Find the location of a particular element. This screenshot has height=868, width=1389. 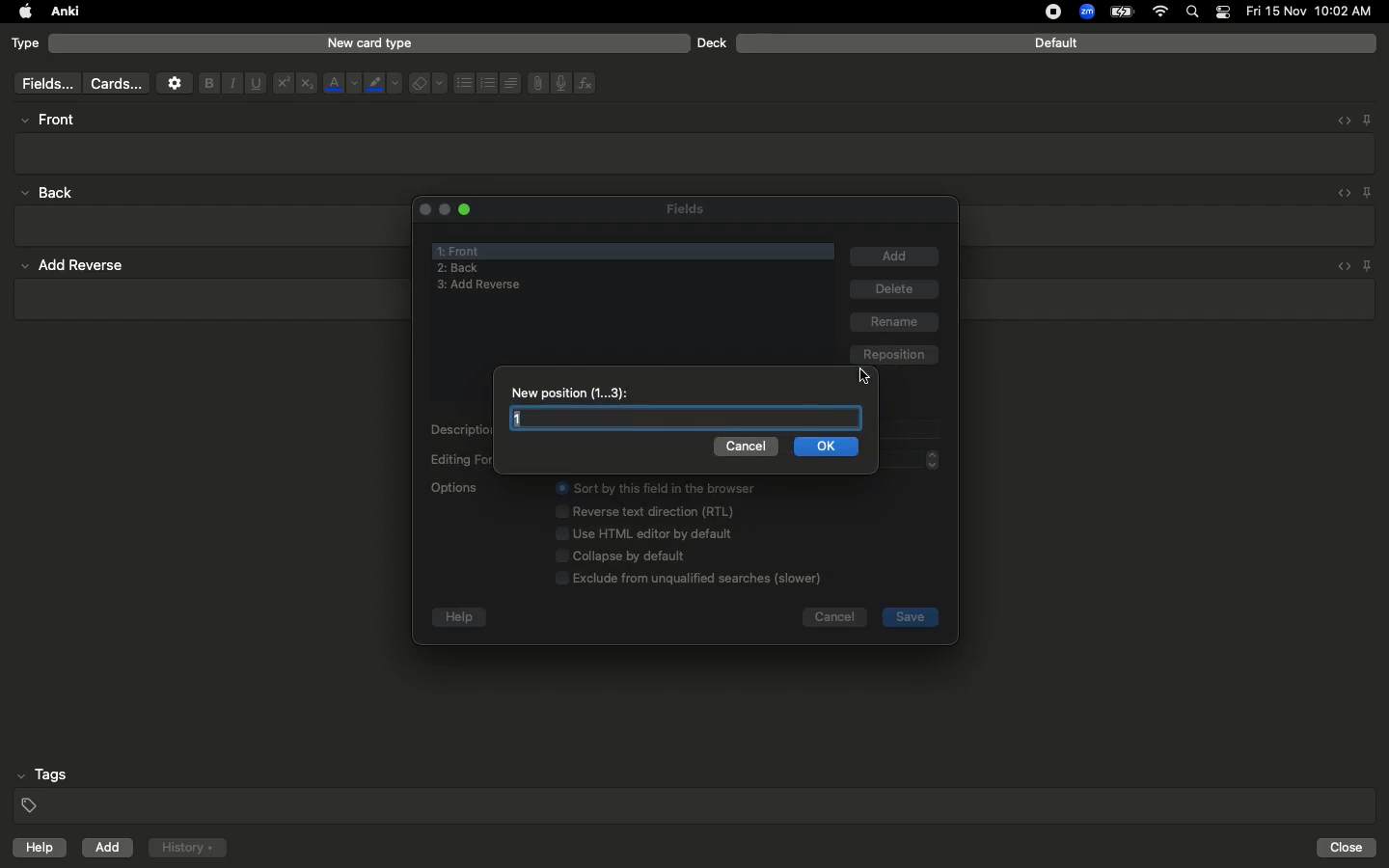

Voice recorder is located at coordinates (559, 81).